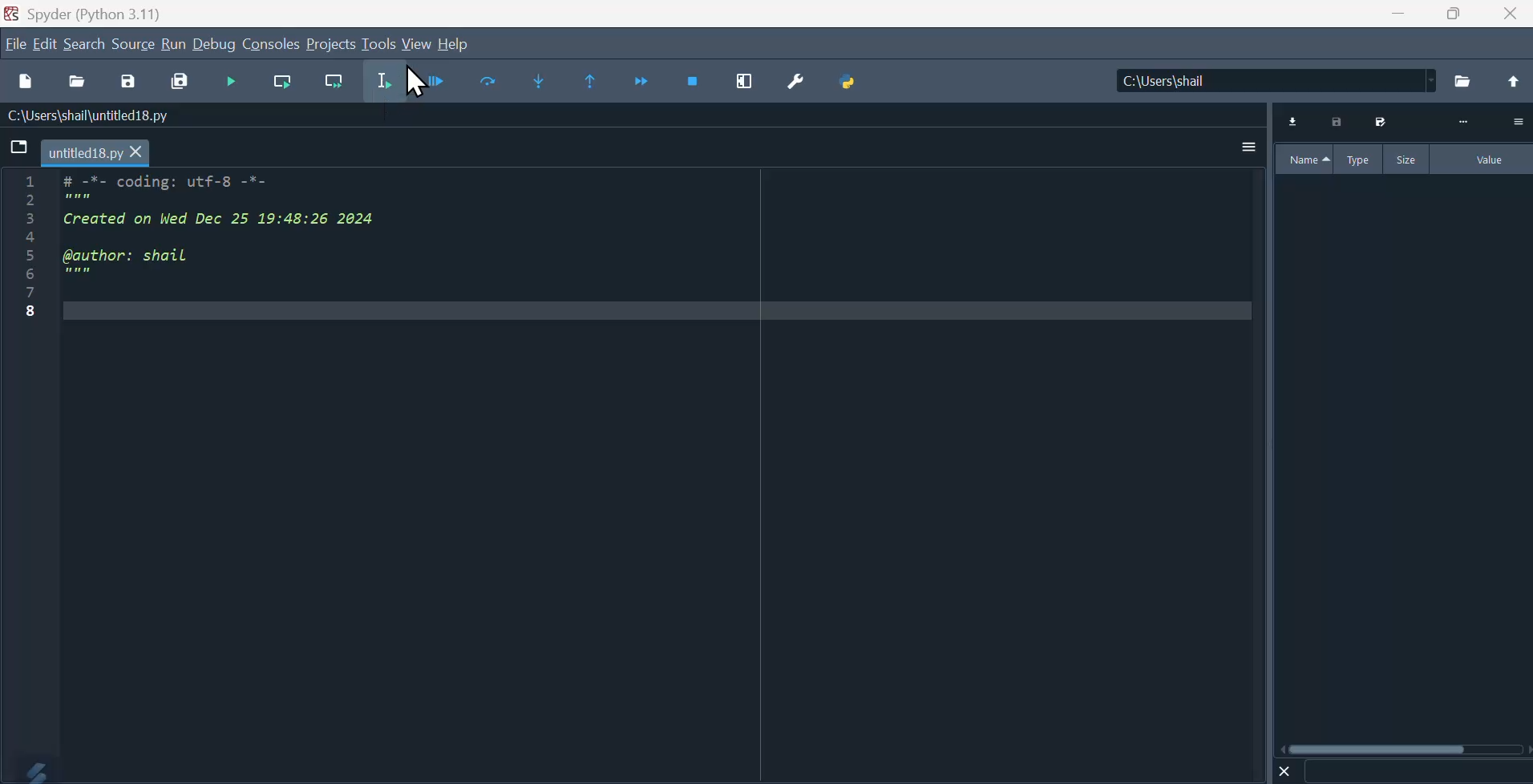 The height and width of the screenshot is (784, 1533). Describe the element at coordinates (643, 83) in the screenshot. I see `Continue execution until next function` at that location.